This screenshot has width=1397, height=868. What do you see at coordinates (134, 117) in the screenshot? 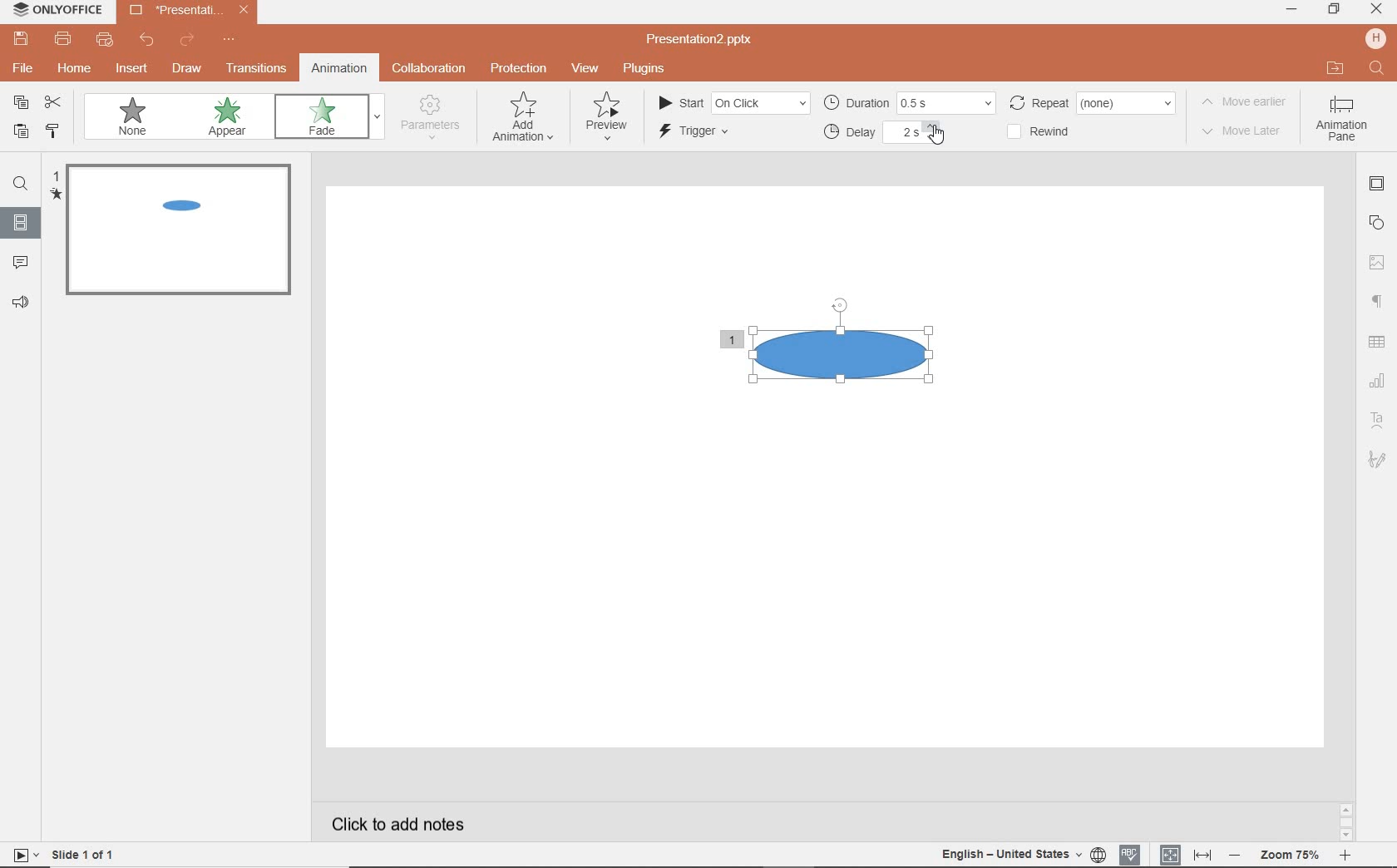
I see `none` at bounding box center [134, 117].